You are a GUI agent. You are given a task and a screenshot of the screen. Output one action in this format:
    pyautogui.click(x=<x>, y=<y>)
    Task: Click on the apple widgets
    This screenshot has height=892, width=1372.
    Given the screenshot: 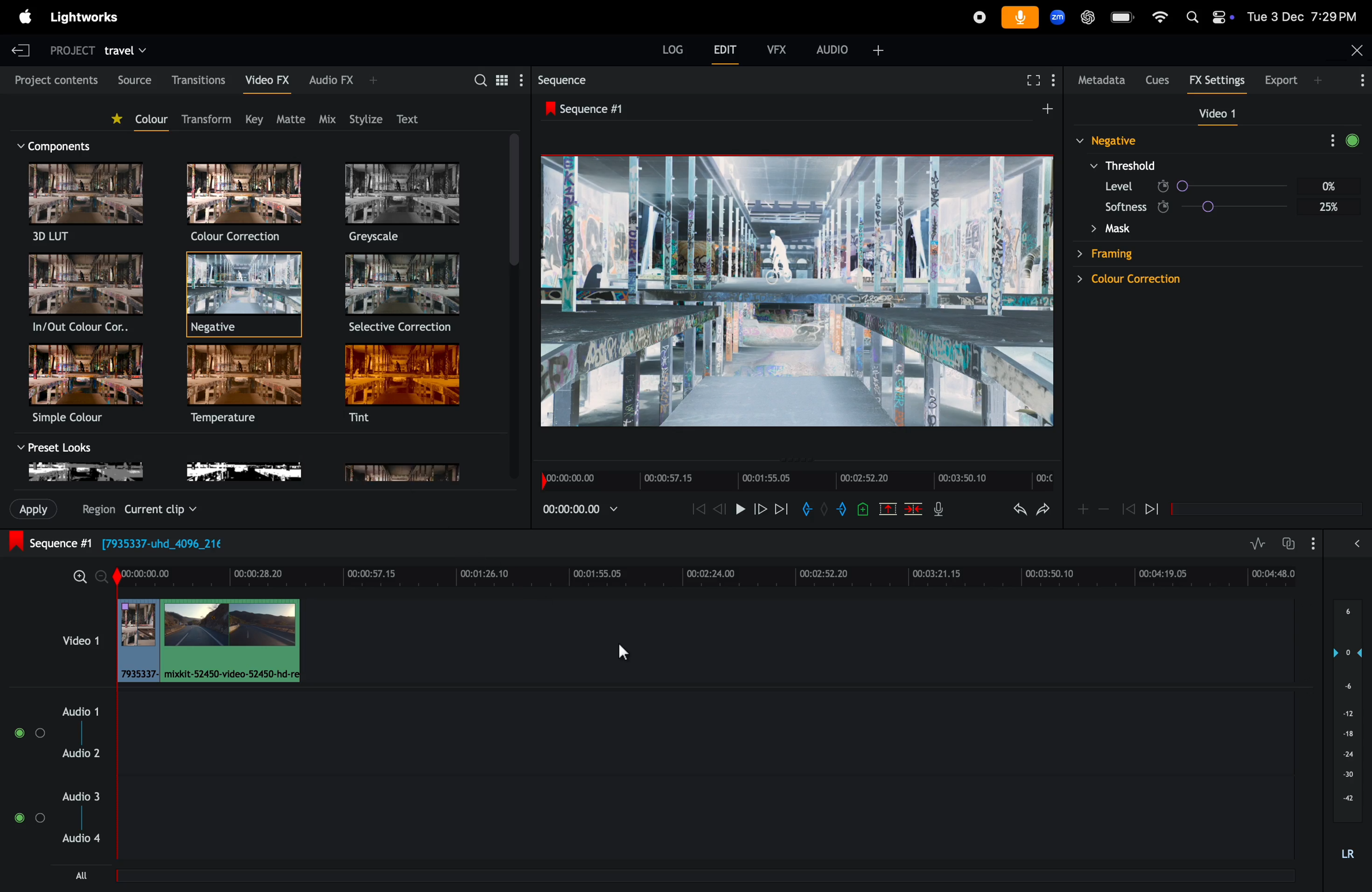 What is the action you would take?
    pyautogui.click(x=1208, y=16)
    